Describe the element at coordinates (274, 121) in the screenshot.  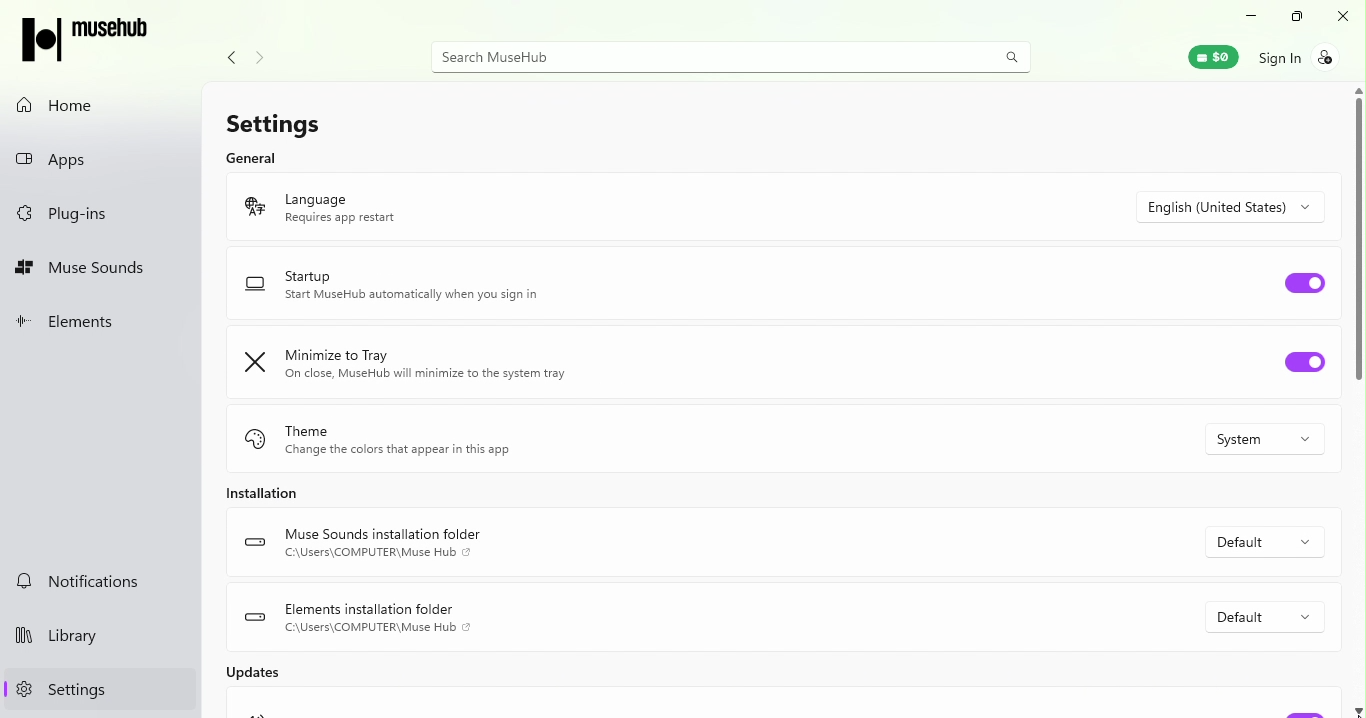
I see `Settings` at that location.